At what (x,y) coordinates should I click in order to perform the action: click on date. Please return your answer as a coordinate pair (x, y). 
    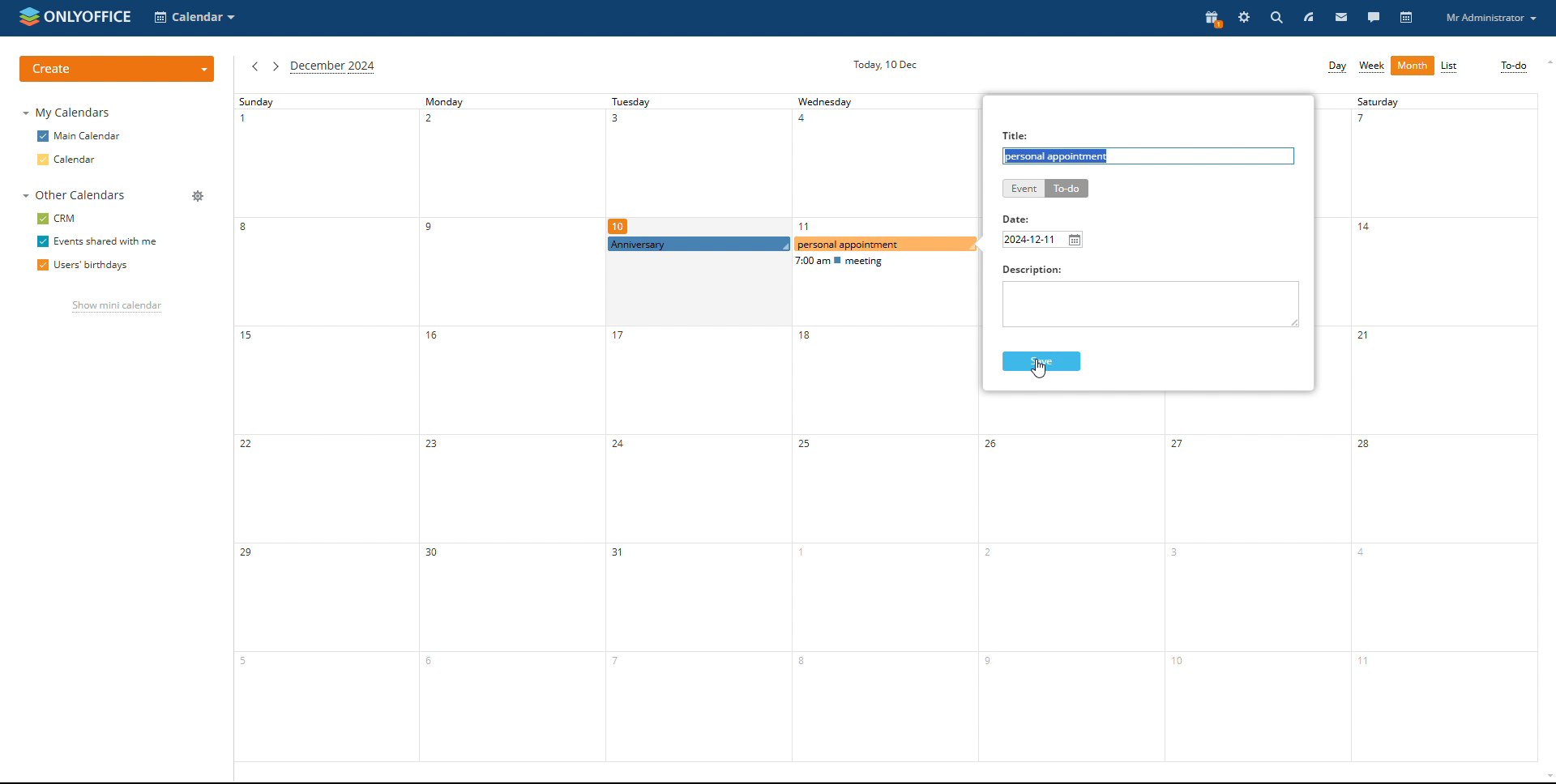
    Looking at the image, I should click on (1020, 217).